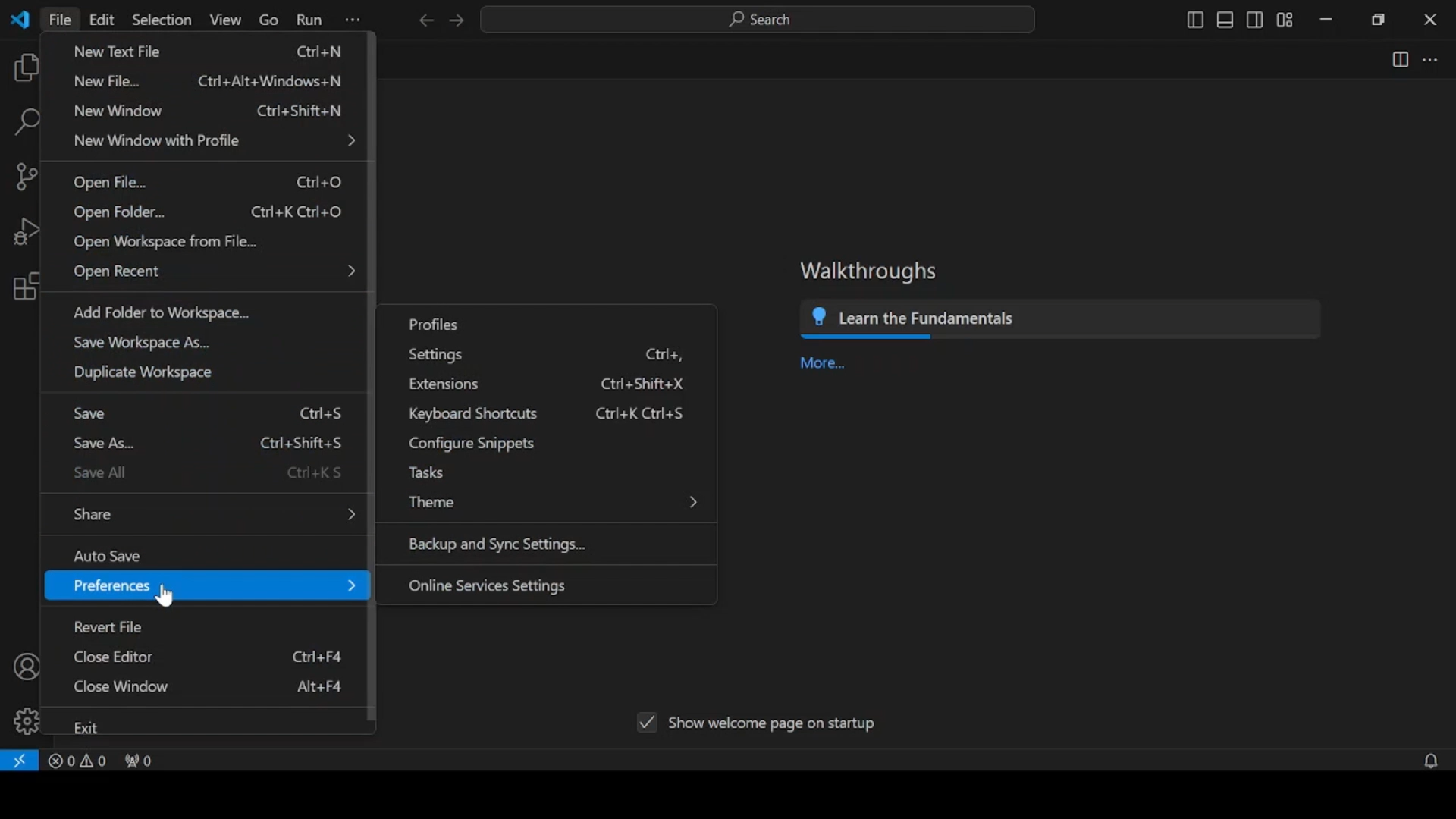 This screenshot has width=1456, height=819. What do you see at coordinates (28, 121) in the screenshot?
I see `search` at bounding box center [28, 121].